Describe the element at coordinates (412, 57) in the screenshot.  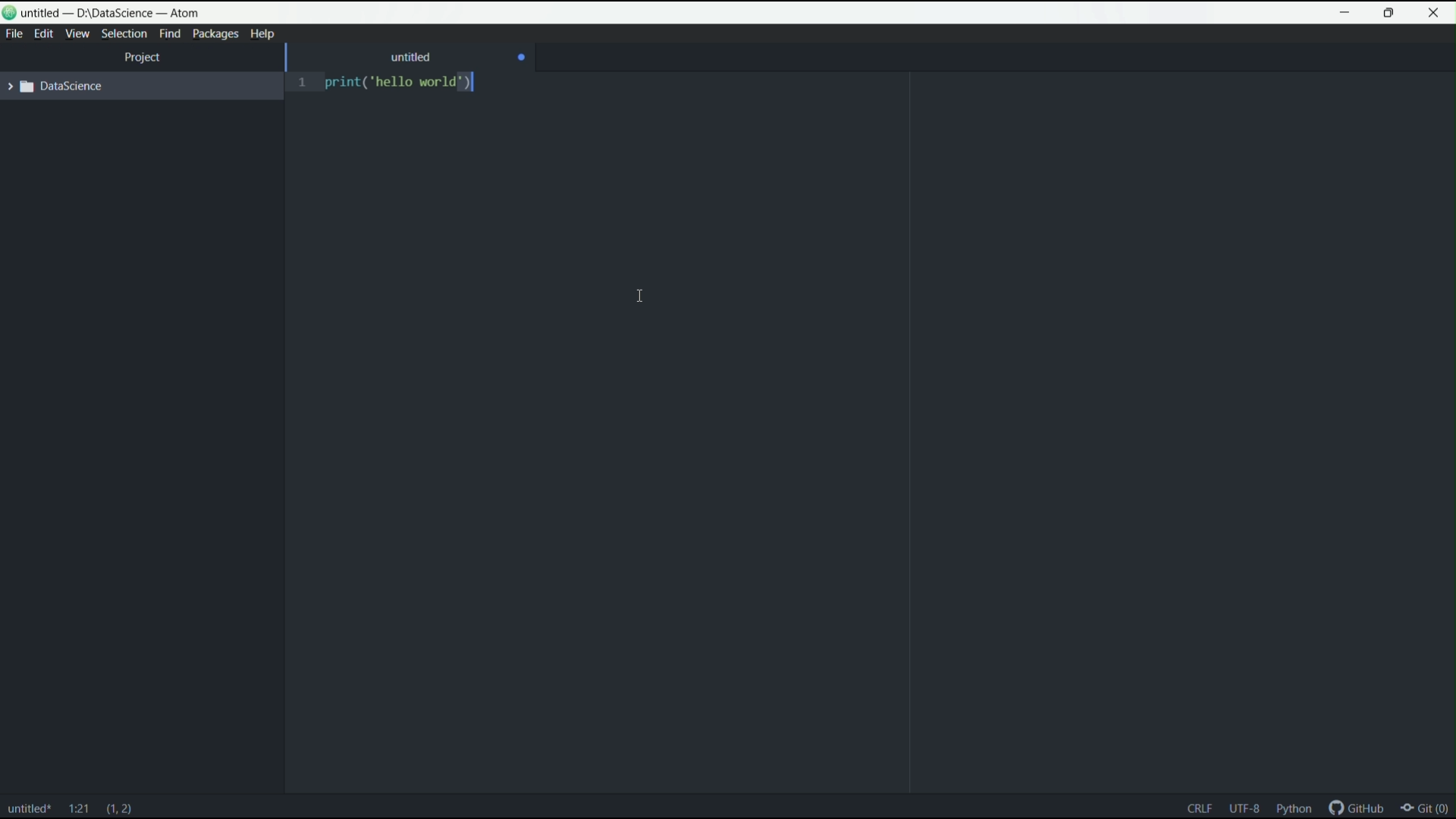
I see `untitled` at that location.